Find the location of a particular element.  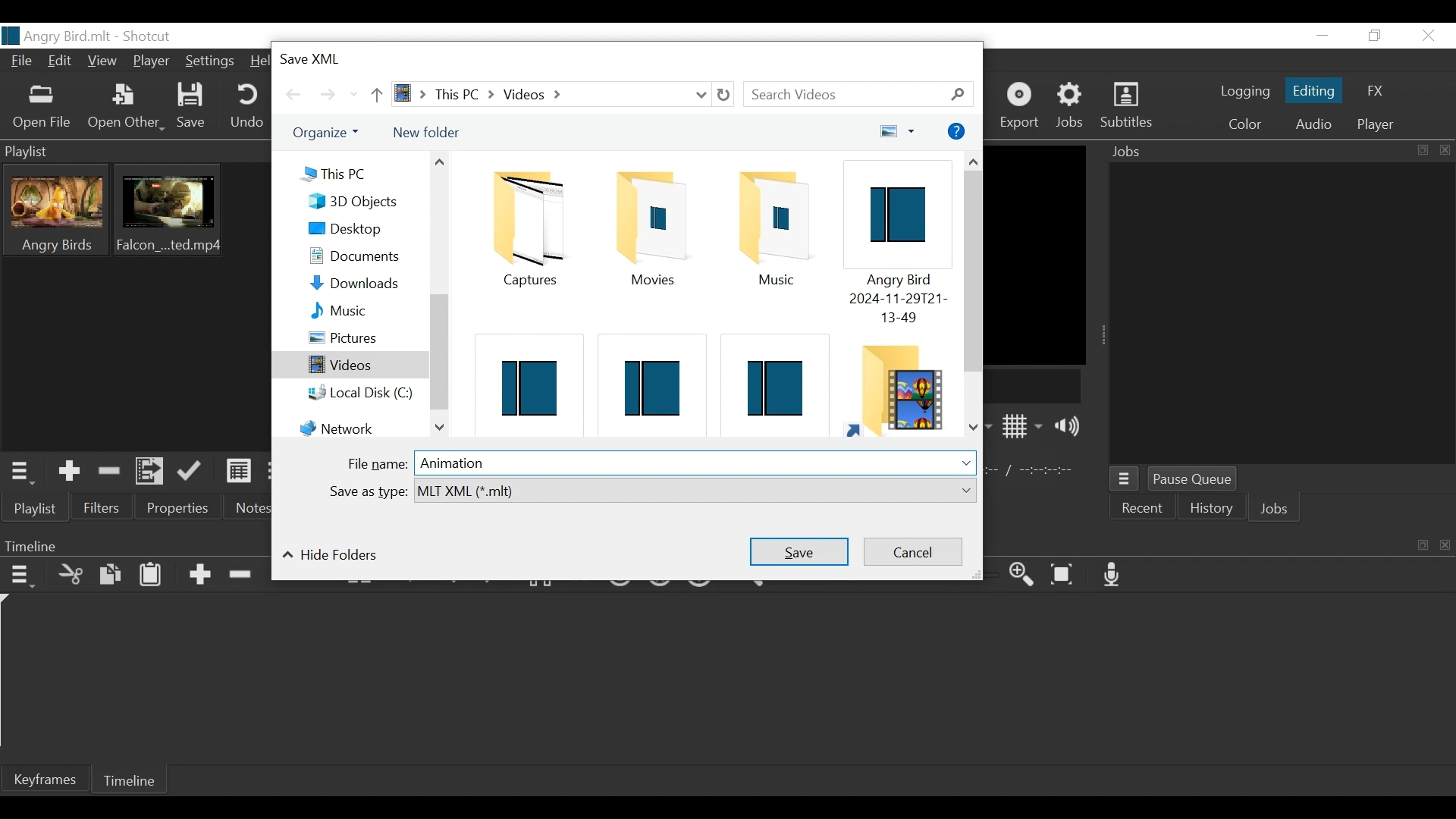

Ripple Delete is located at coordinates (240, 575).